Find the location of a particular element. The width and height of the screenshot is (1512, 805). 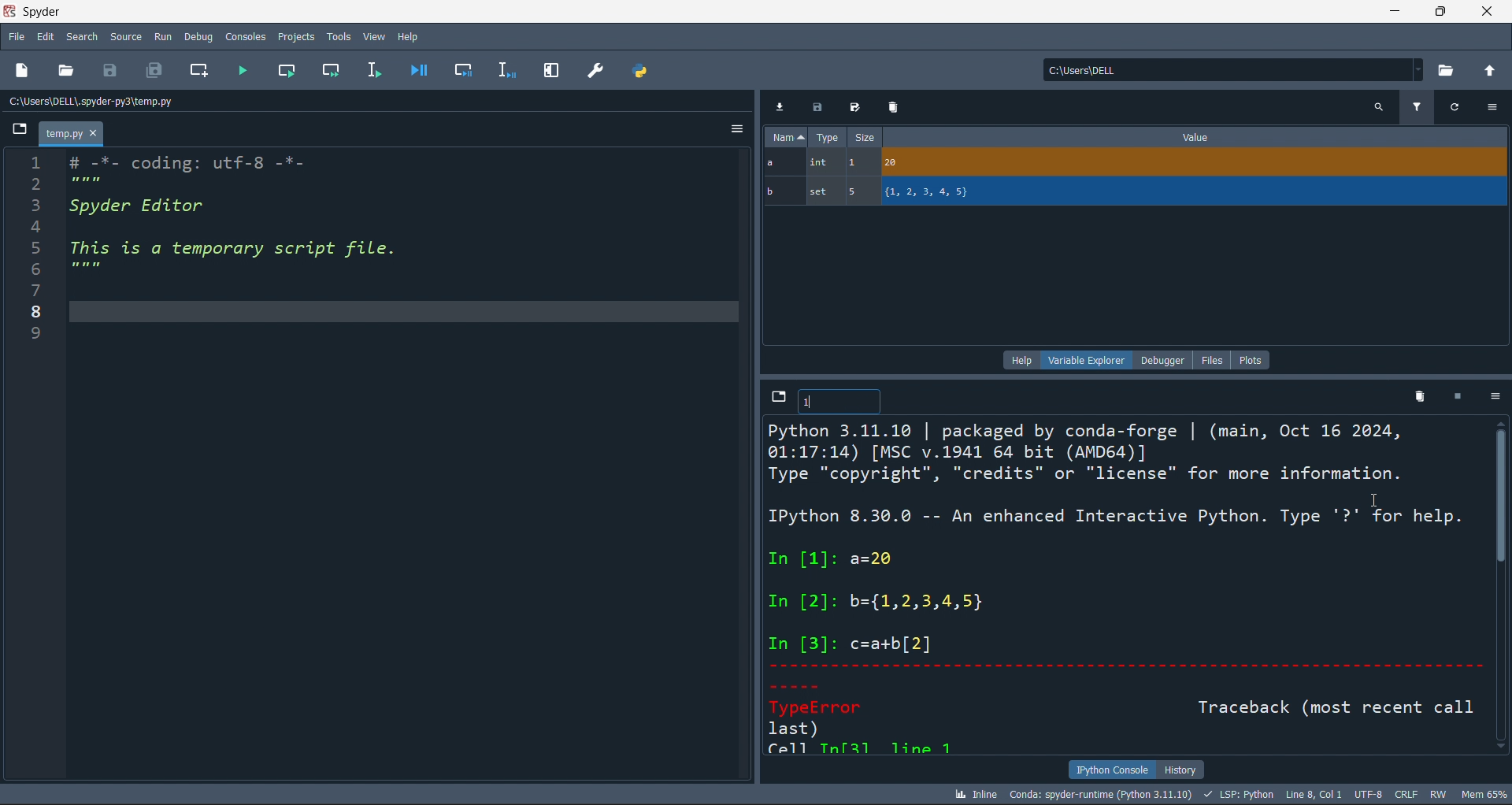

rw is located at coordinates (1437, 794).